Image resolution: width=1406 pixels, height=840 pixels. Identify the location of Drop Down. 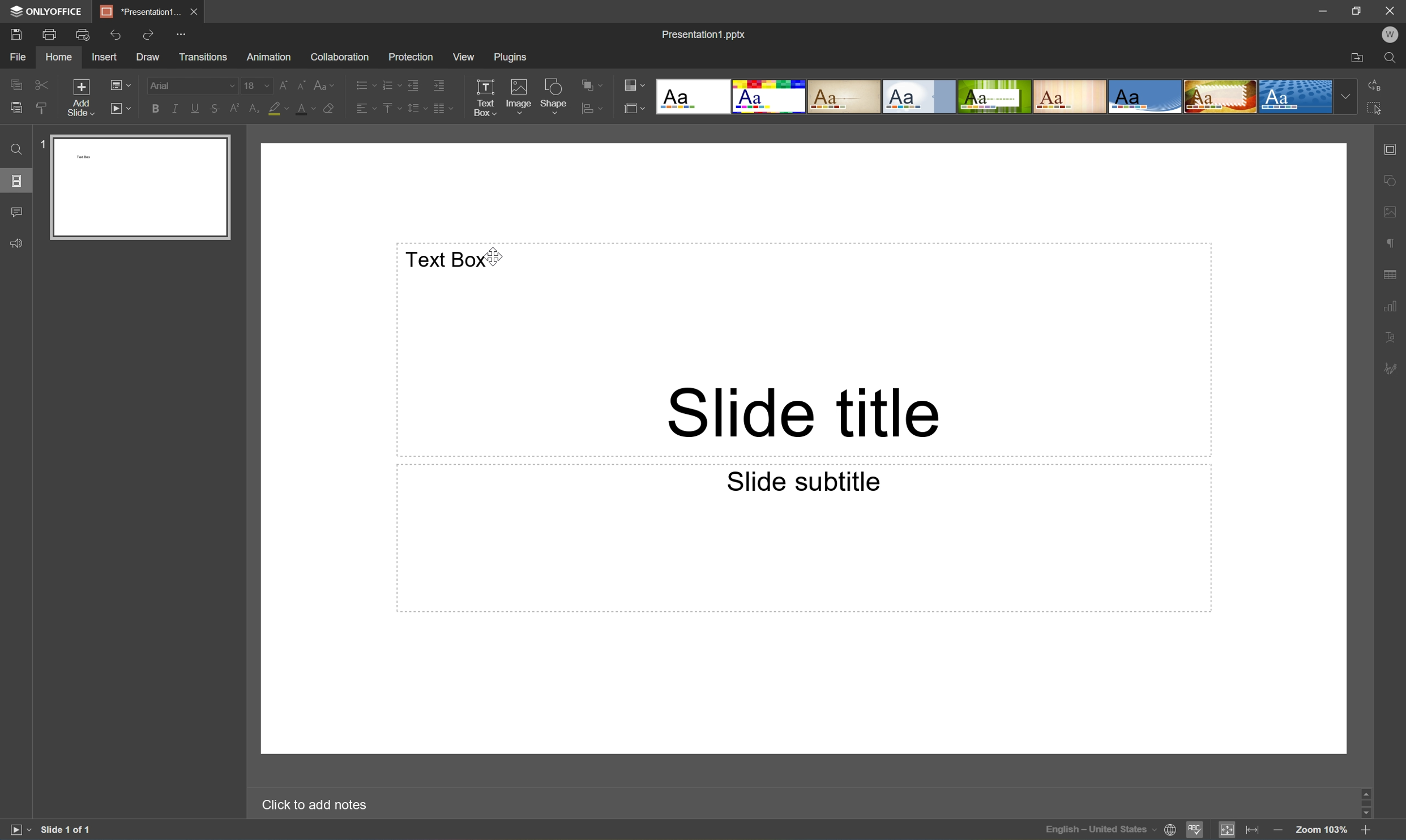
(1343, 96).